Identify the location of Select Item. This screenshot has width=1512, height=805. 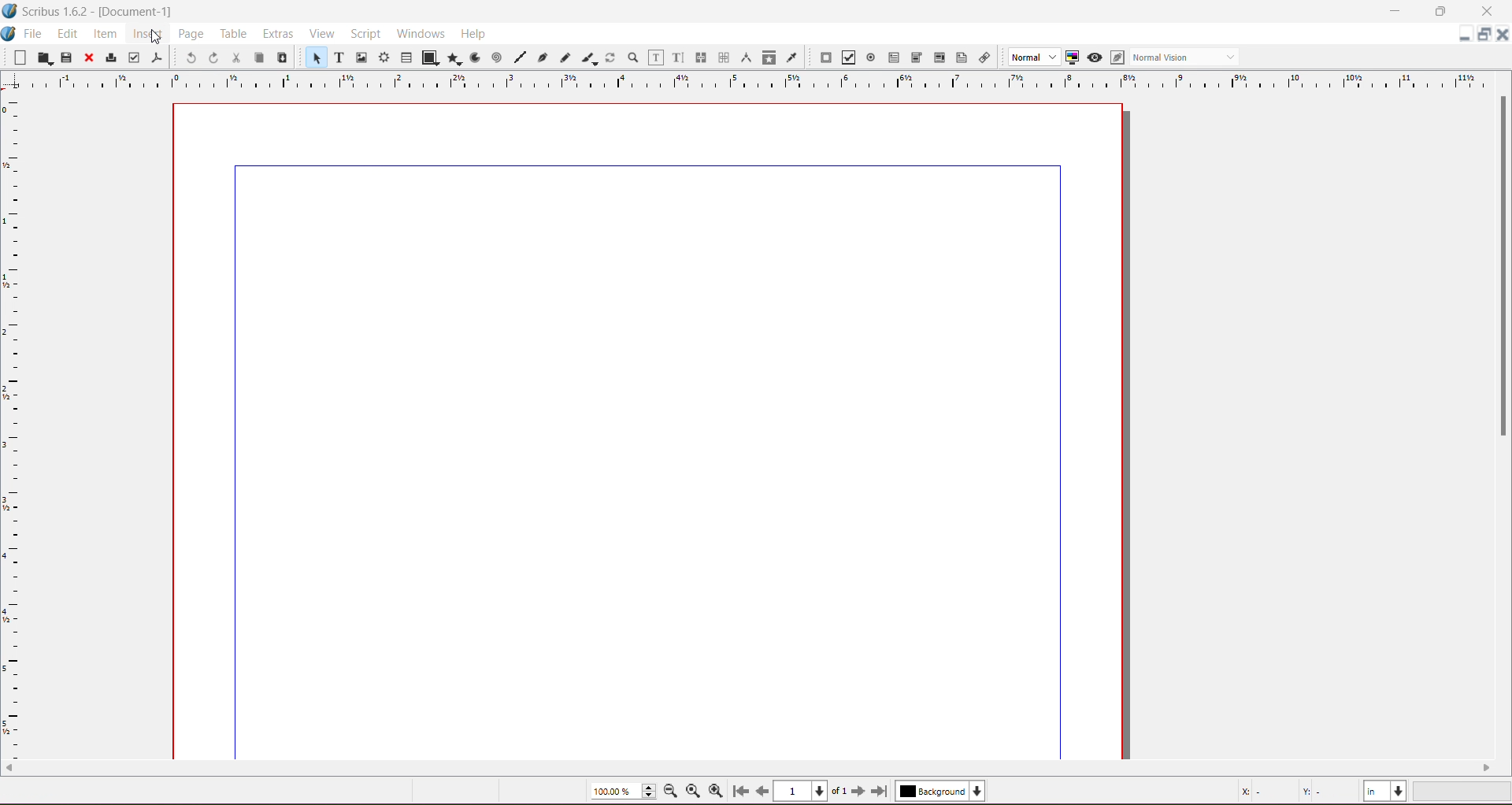
(314, 57).